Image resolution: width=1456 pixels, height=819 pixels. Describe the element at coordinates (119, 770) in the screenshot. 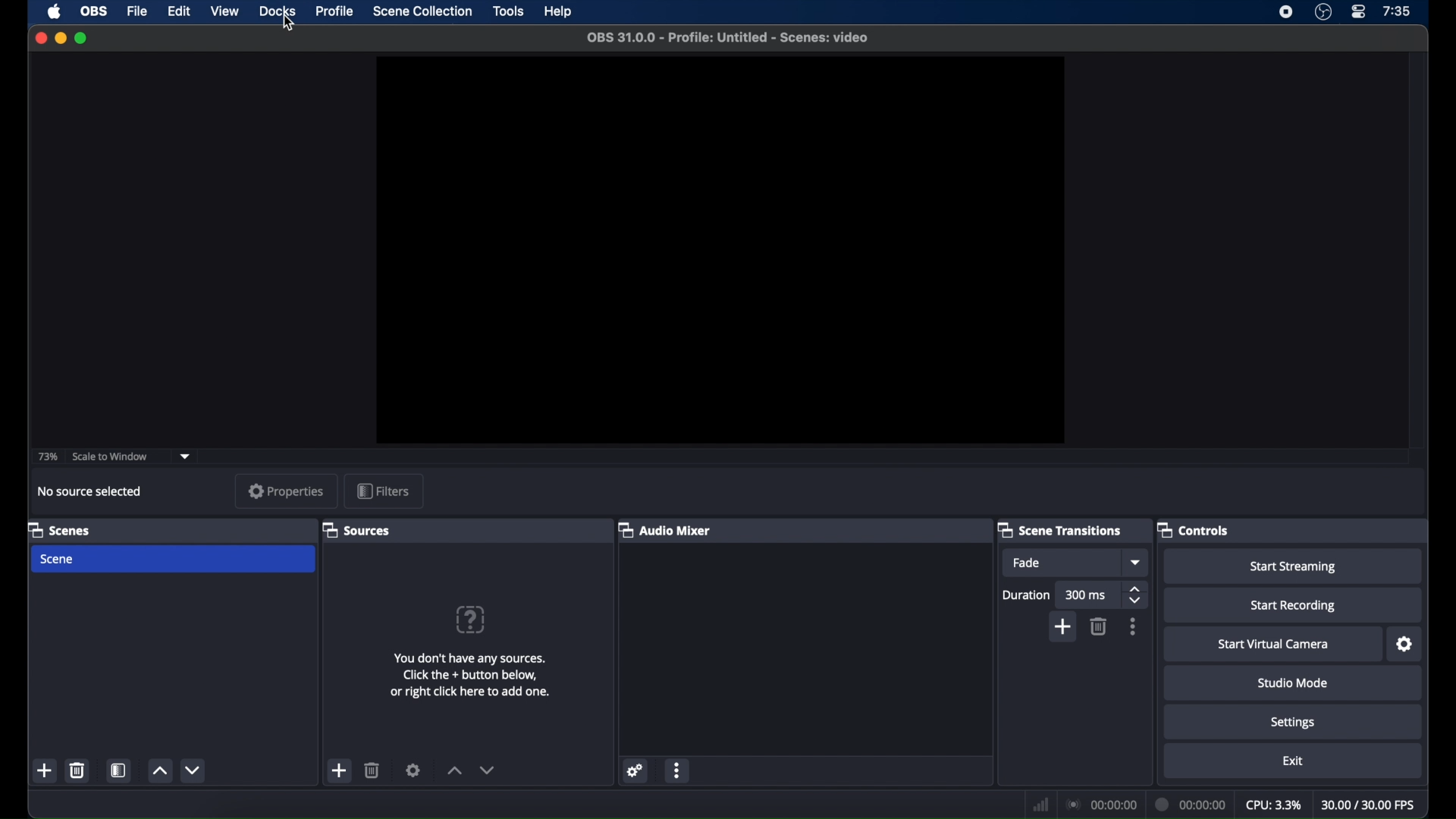

I see `scene filters` at that location.